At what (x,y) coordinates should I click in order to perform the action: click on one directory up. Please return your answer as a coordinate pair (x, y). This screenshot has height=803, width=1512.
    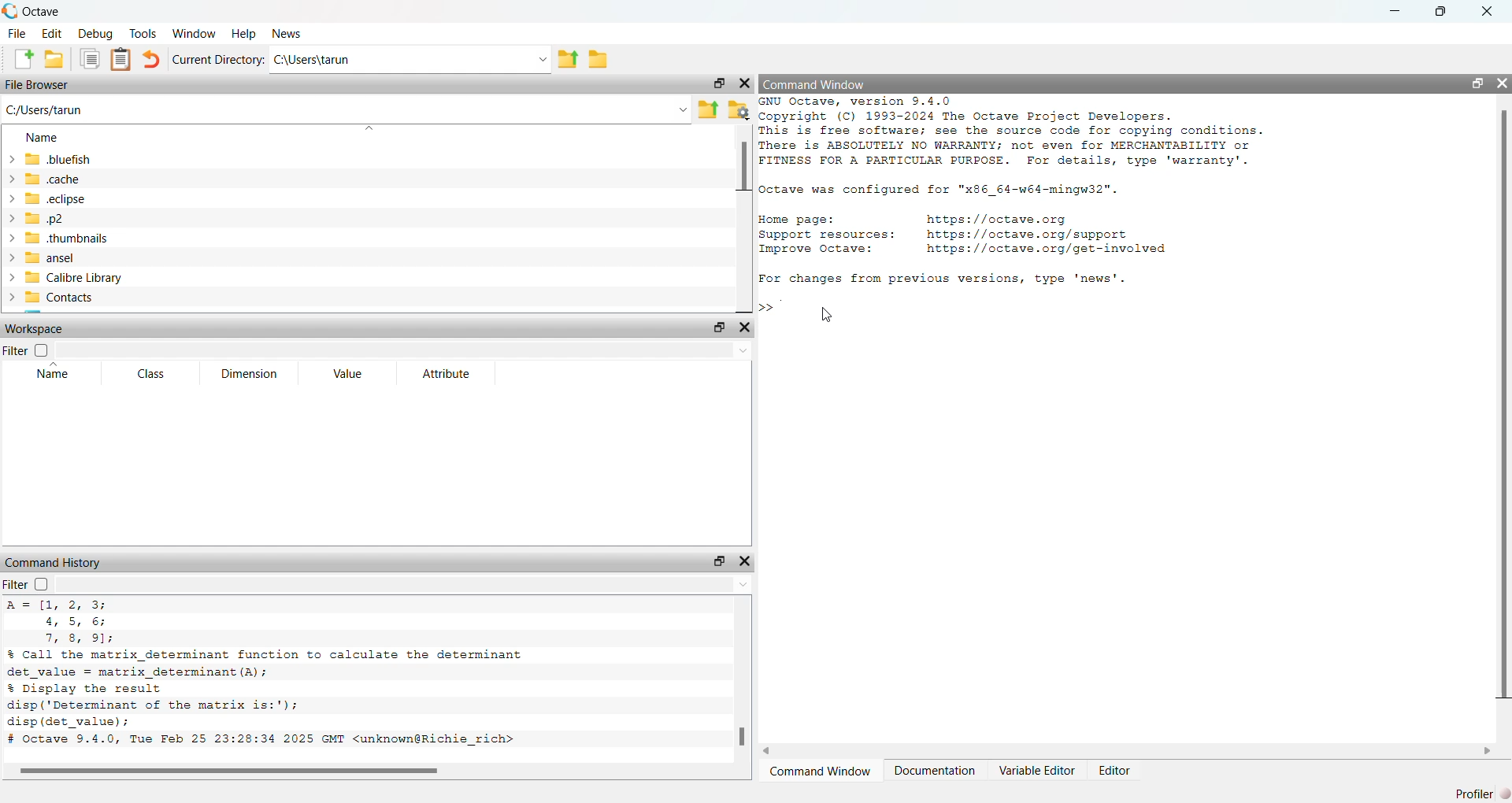
    Looking at the image, I should click on (707, 109).